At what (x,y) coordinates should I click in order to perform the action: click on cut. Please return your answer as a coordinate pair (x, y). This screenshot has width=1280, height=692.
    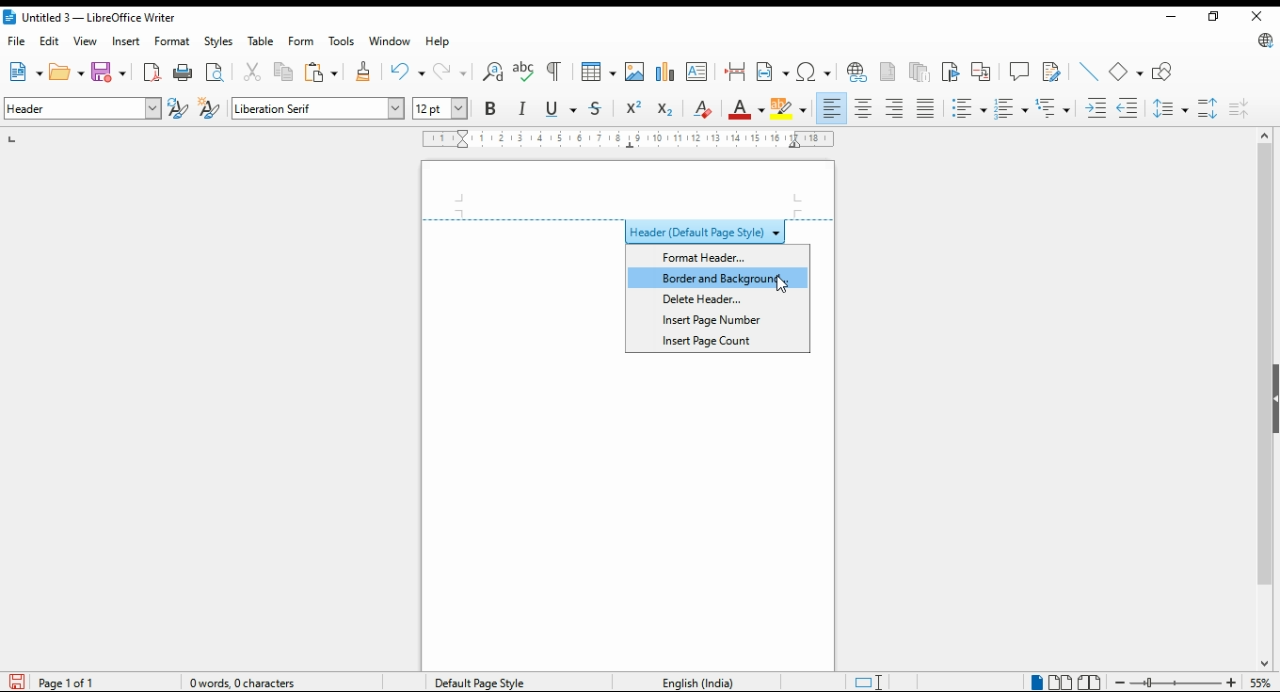
    Looking at the image, I should click on (254, 72).